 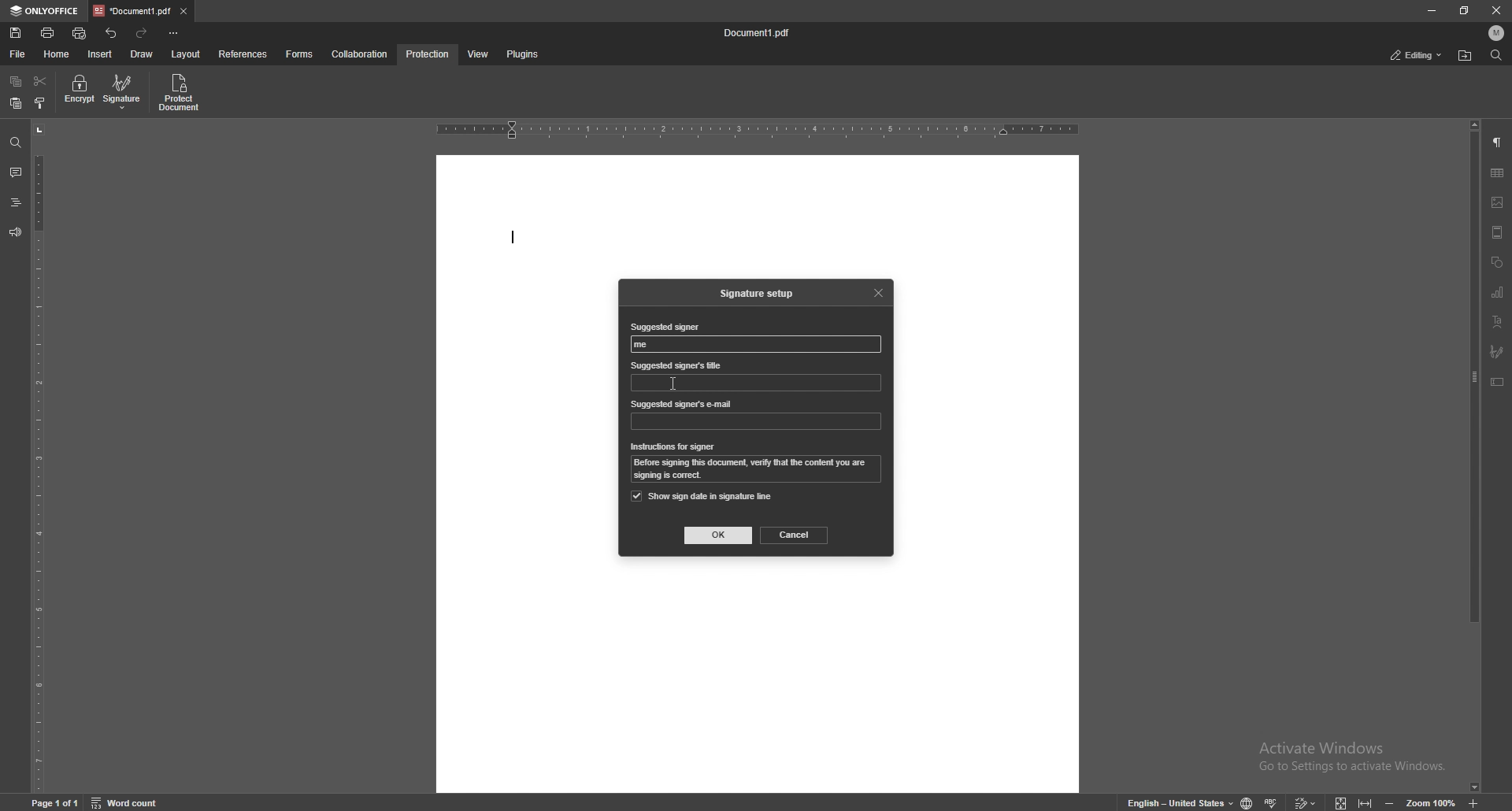 What do you see at coordinates (719, 535) in the screenshot?
I see `ok` at bounding box center [719, 535].